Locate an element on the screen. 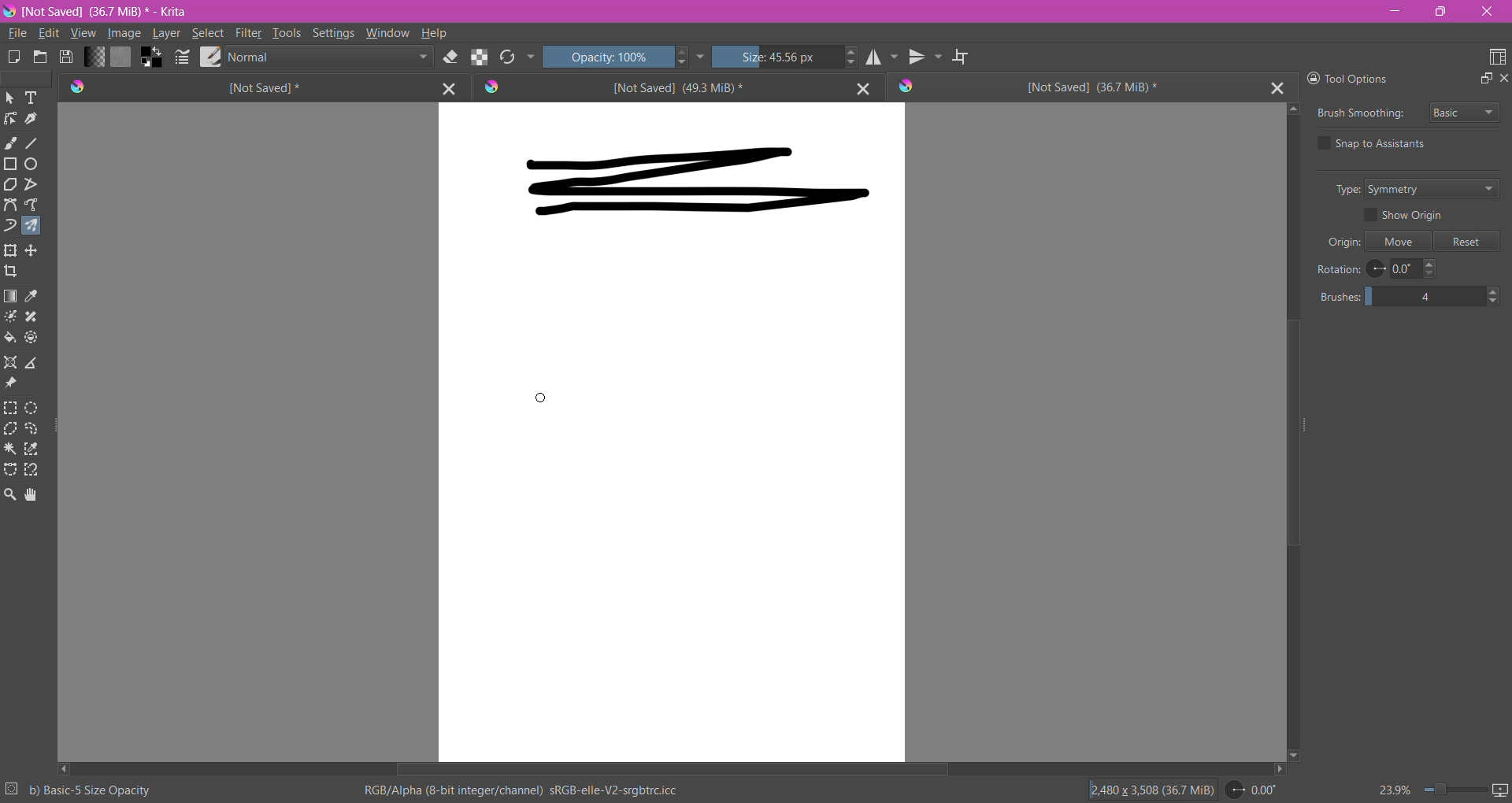  Polygon Tool is located at coordinates (10, 185).